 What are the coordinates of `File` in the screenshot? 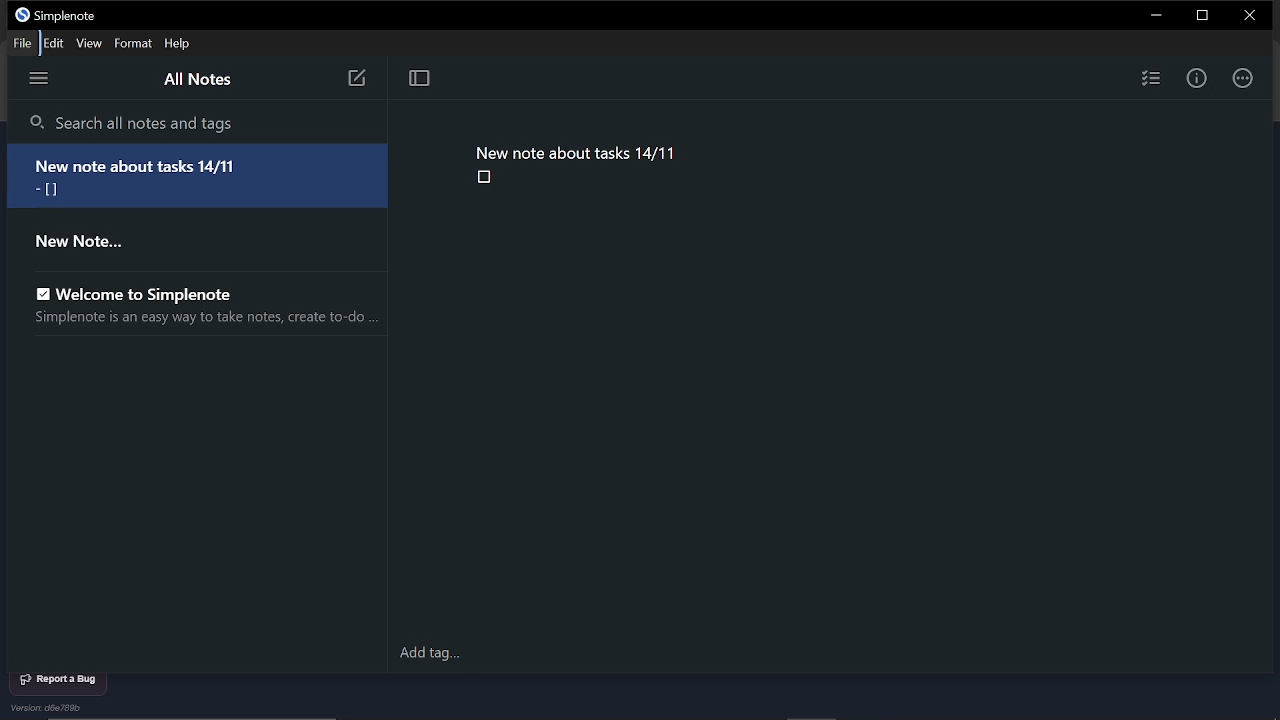 It's located at (25, 43).